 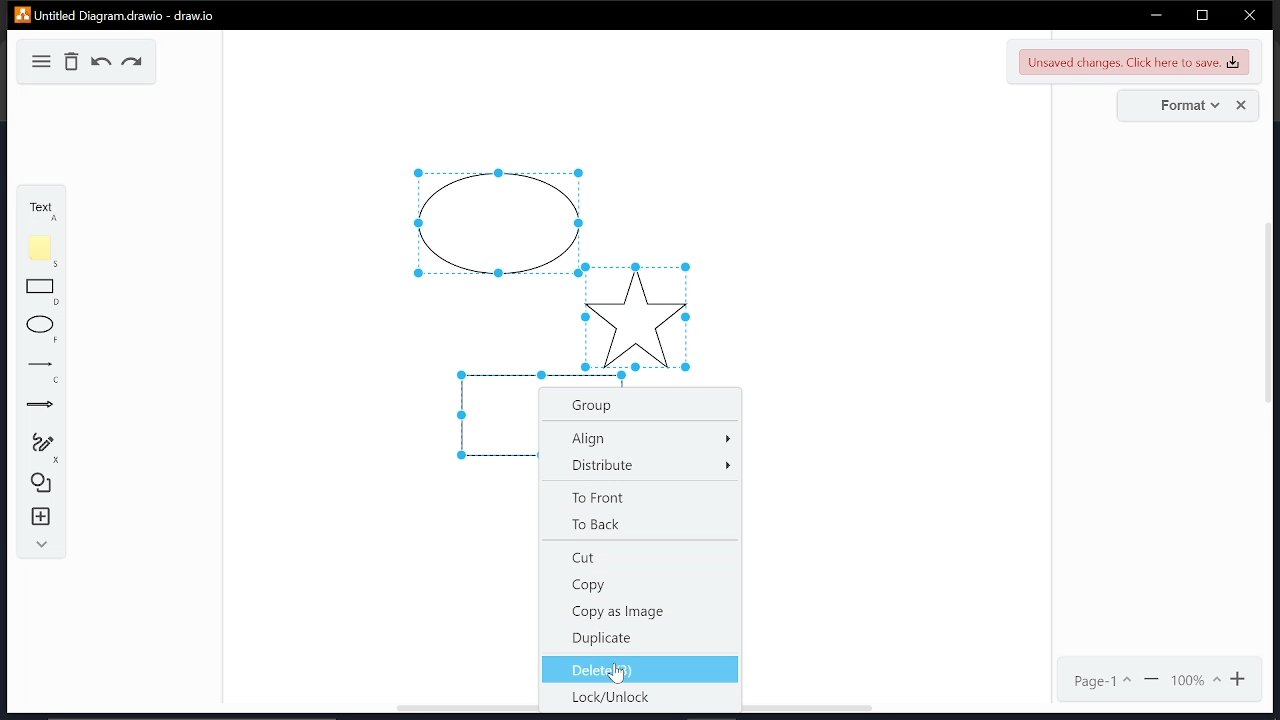 I want to click on shapes, so click(x=42, y=481).